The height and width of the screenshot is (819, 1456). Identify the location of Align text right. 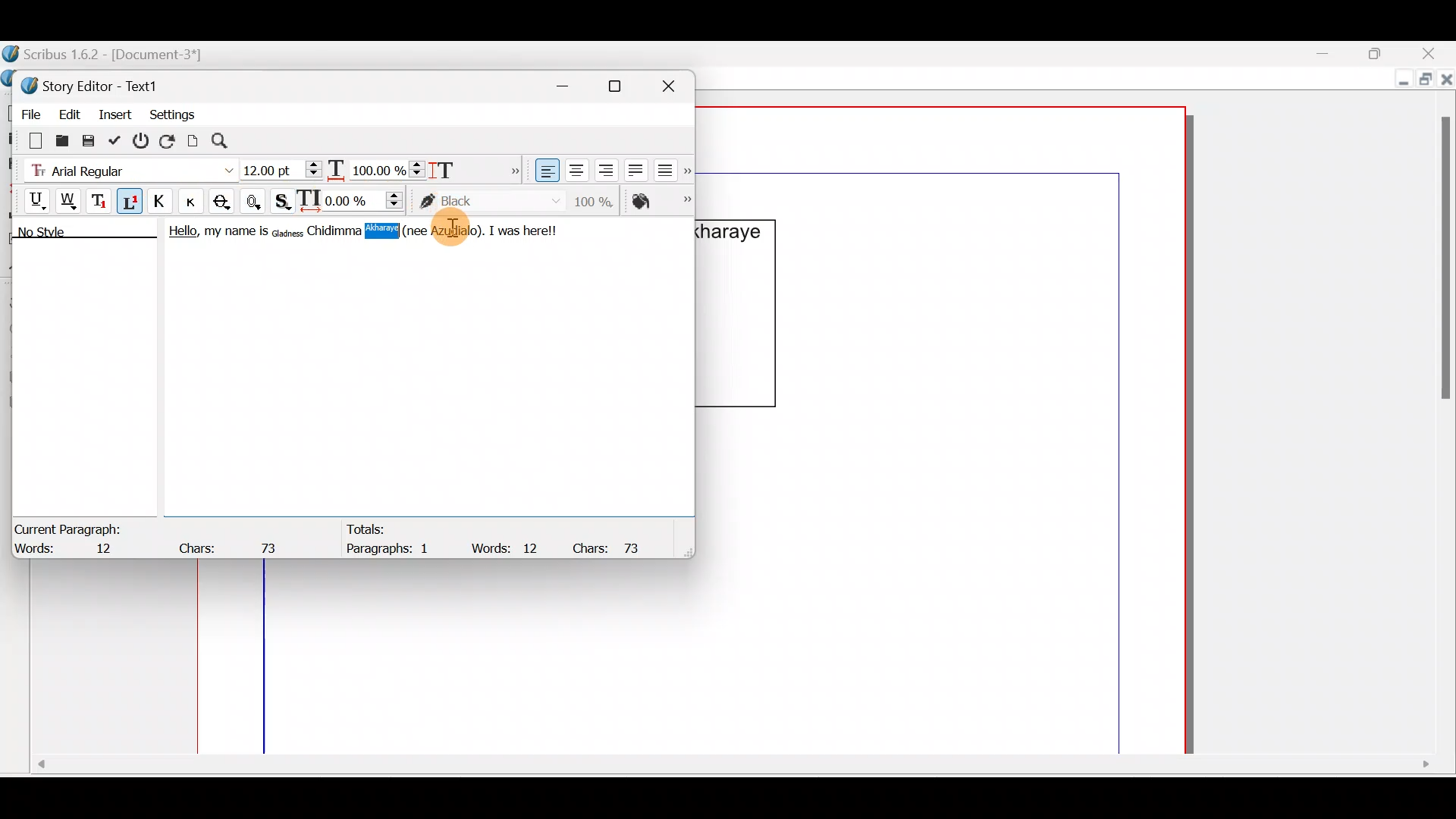
(603, 171).